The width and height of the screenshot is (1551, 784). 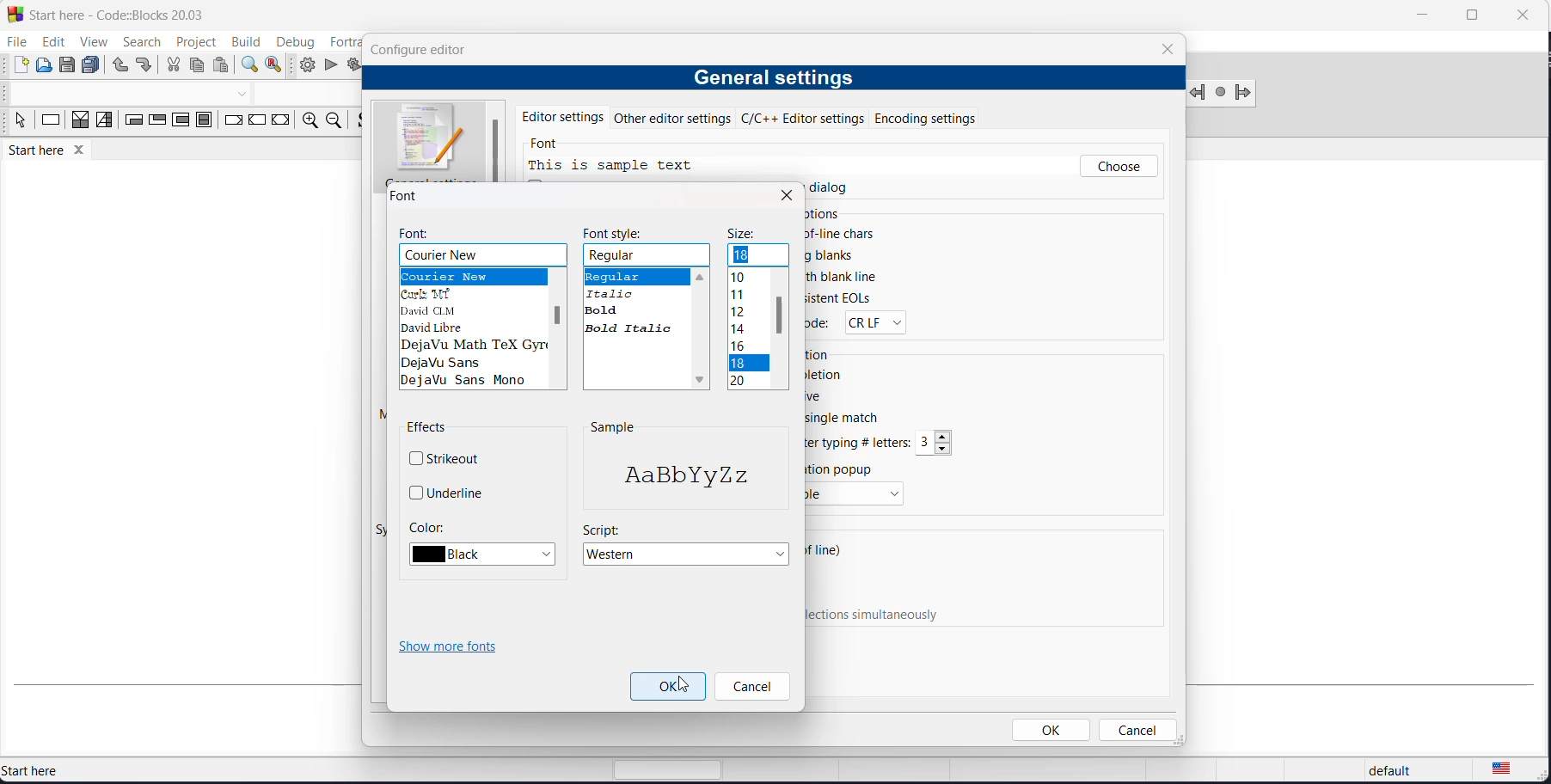 I want to click on ok, so click(x=1053, y=730).